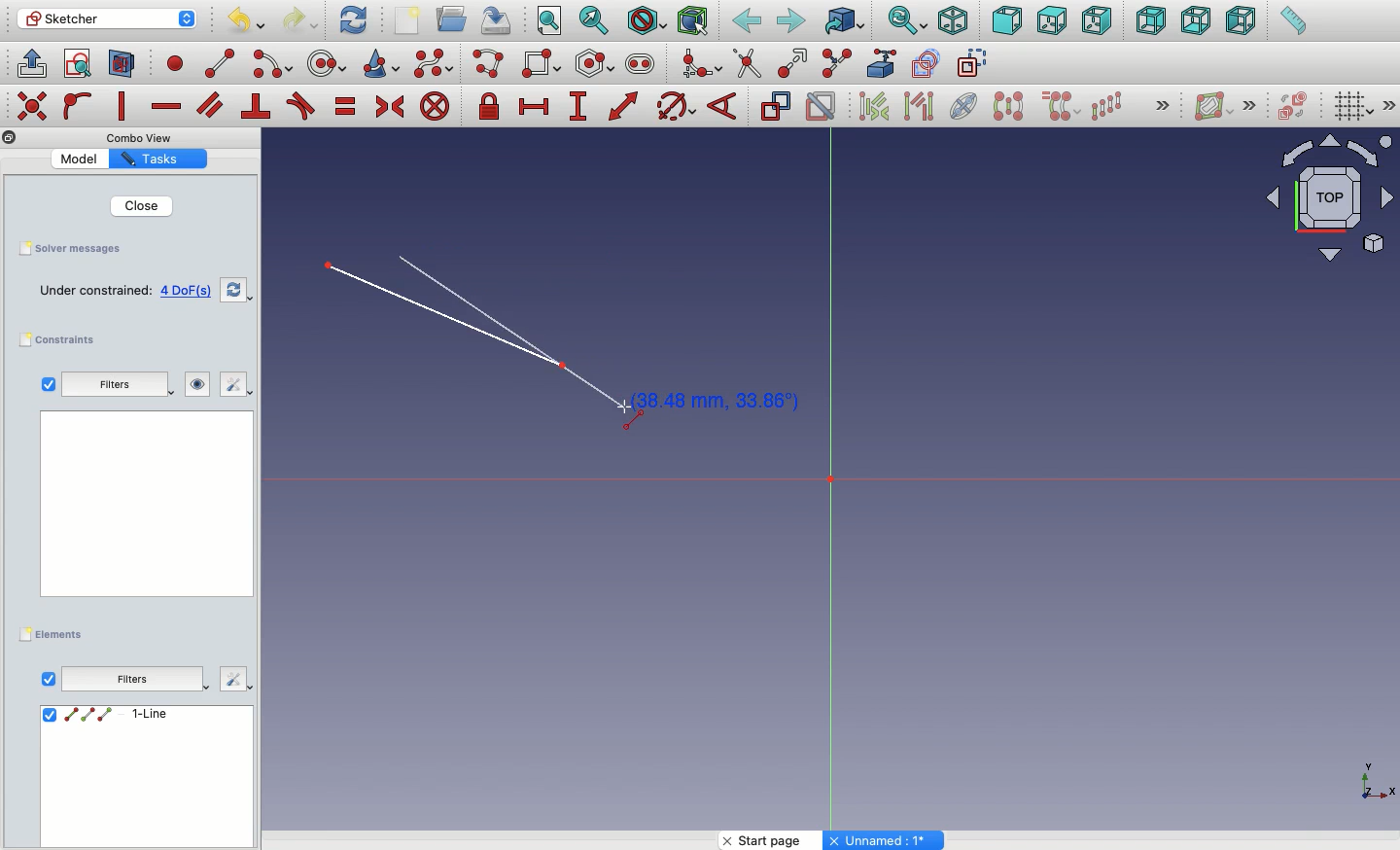 The height and width of the screenshot is (850, 1400). Describe the element at coordinates (677, 106) in the screenshot. I see `Constrain Circle` at that location.